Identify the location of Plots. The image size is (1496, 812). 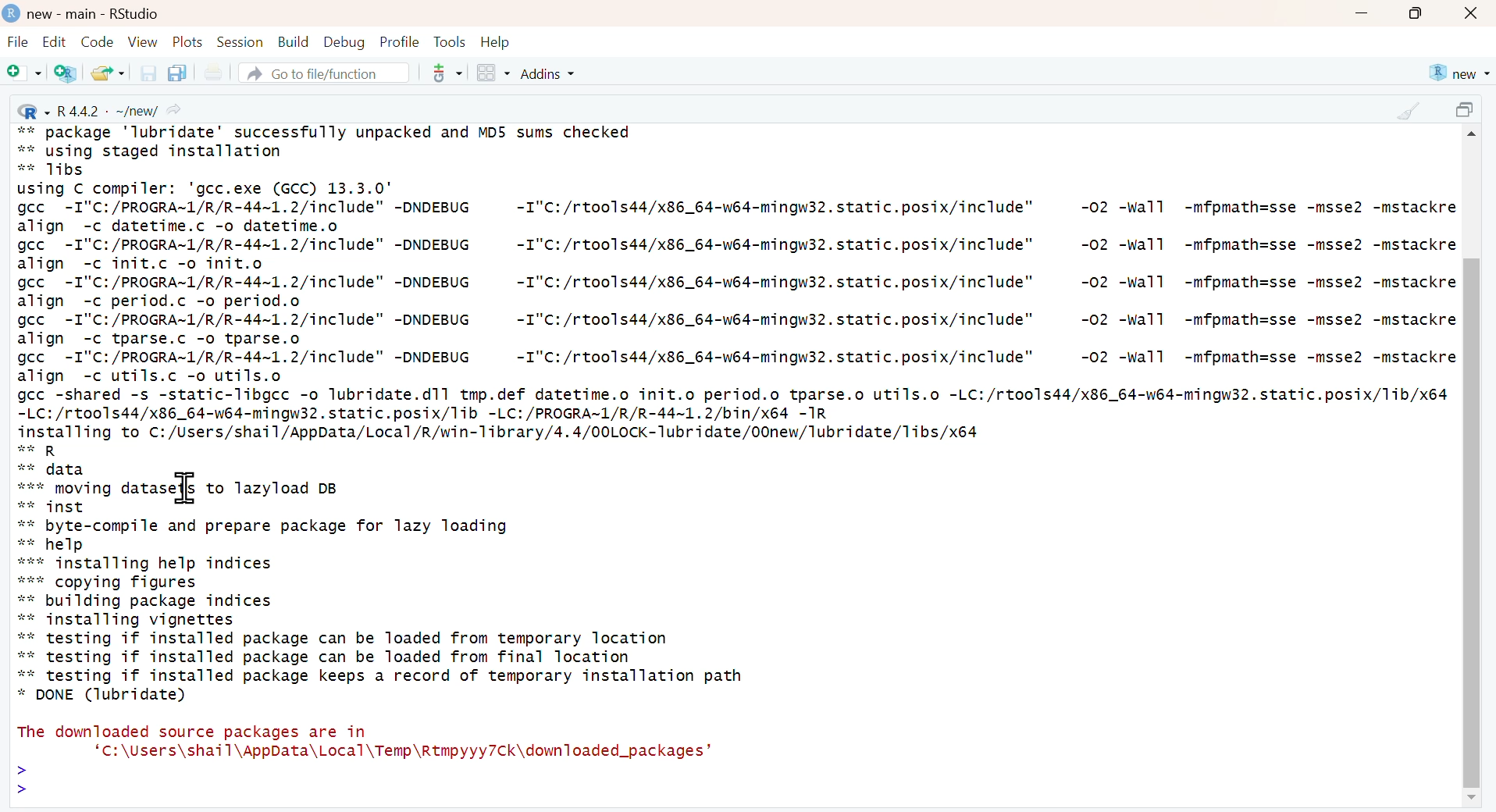
(188, 41).